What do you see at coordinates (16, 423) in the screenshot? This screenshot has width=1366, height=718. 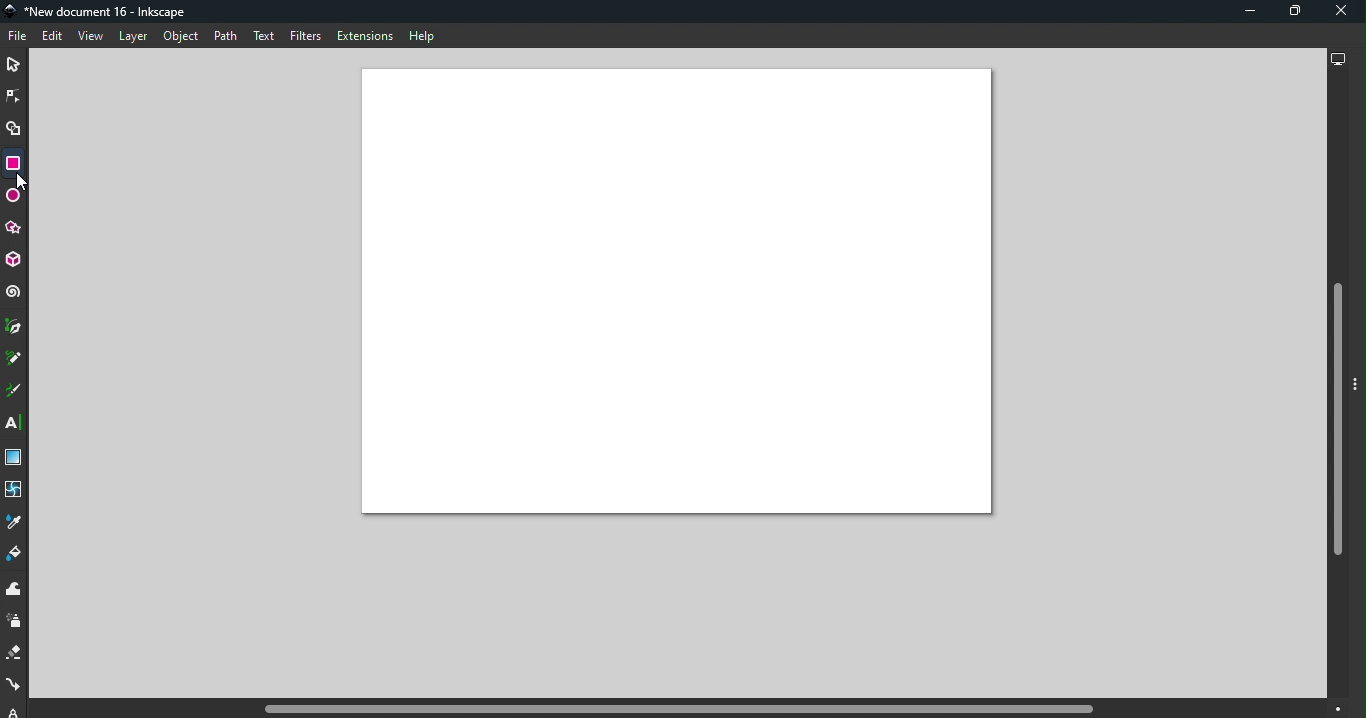 I see `Text tool` at bounding box center [16, 423].